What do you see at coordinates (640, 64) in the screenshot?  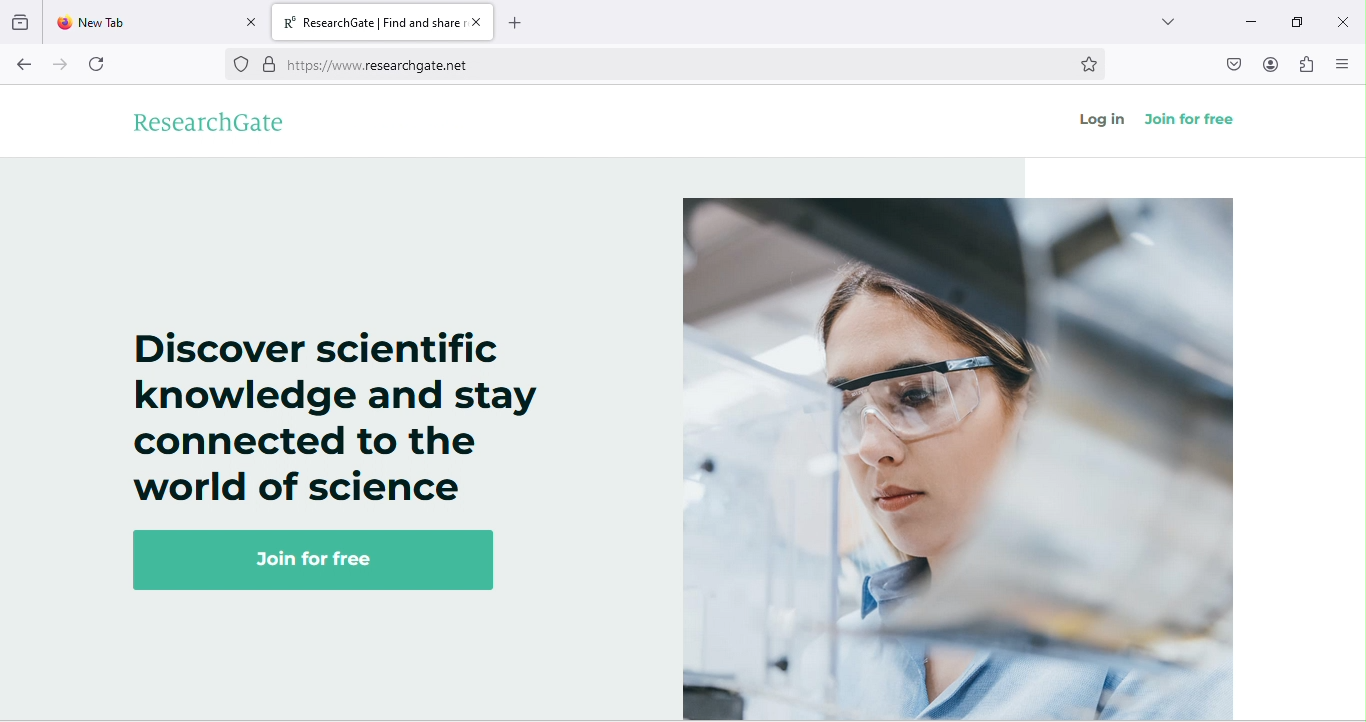 I see `web link` at bounding box center [640, 64].